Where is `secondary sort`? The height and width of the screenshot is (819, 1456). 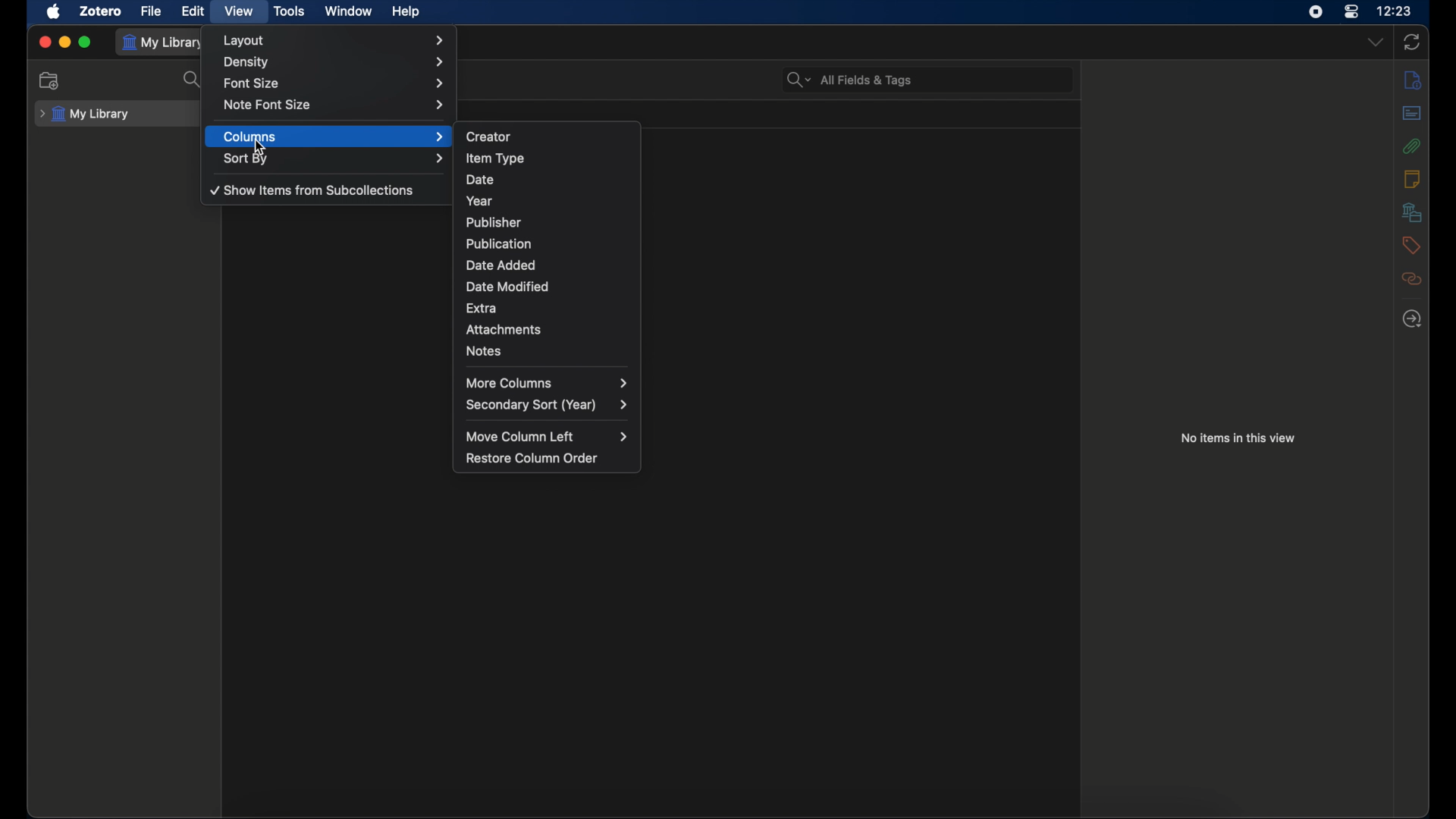
secondary sort is located at coordinates (547, 405).